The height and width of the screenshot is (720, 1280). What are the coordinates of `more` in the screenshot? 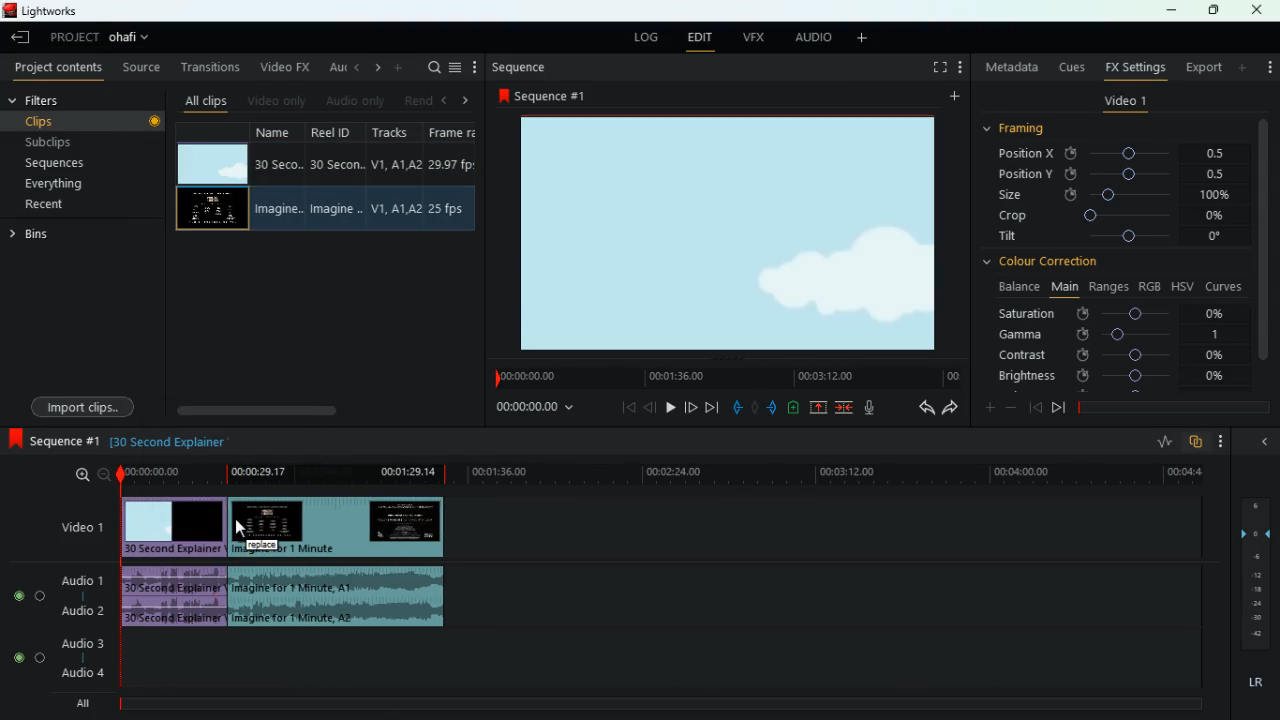 It's located at (1267, 62).